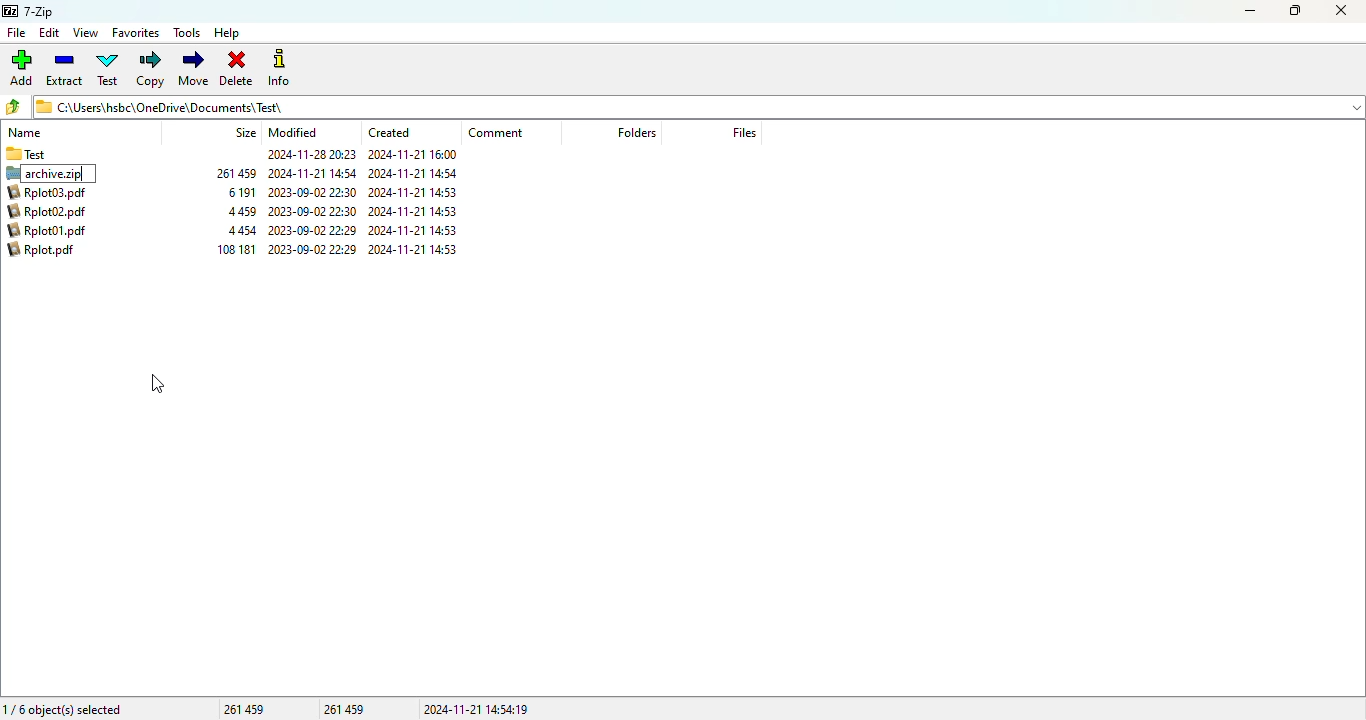 This screenshot has width=1366, height=720. What do you see at coordinates (65, 69) in the screenshot?
I see `extract` at bounding box center [65, 69].